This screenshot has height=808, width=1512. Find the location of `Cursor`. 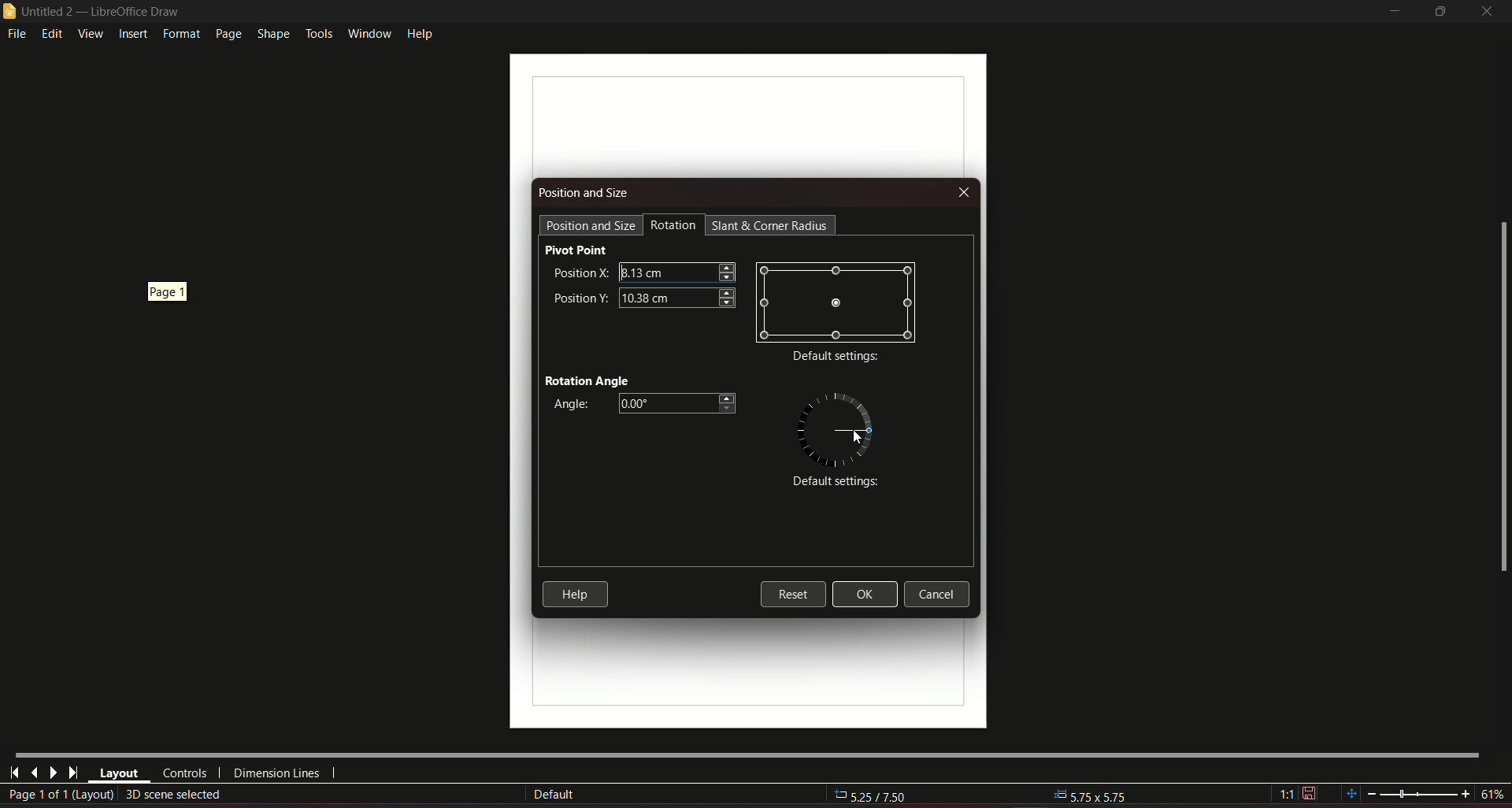

Cursor is located at coordinates (854, 438).